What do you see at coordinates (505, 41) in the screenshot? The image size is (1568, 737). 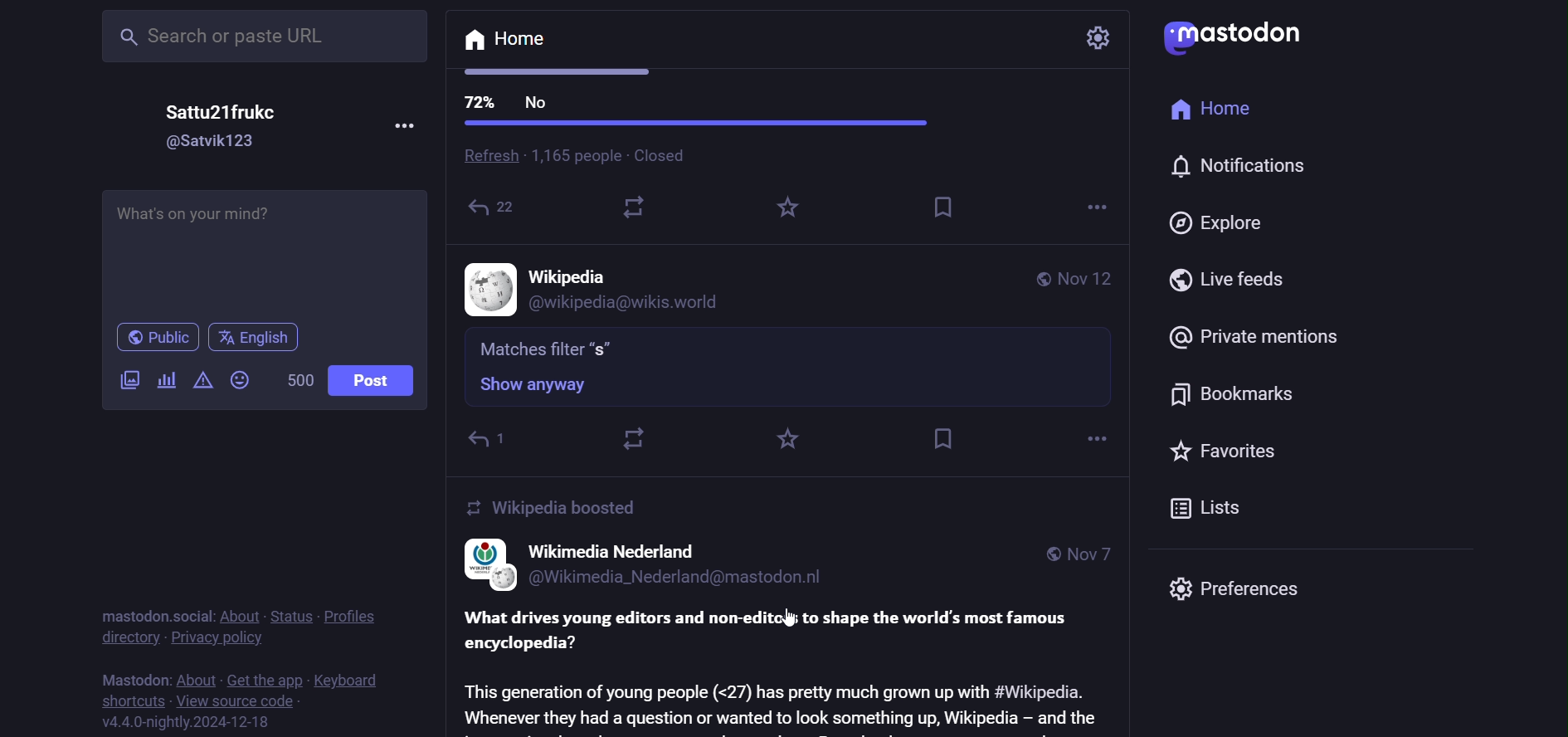 I see `home` at bounding box center [505, 41].